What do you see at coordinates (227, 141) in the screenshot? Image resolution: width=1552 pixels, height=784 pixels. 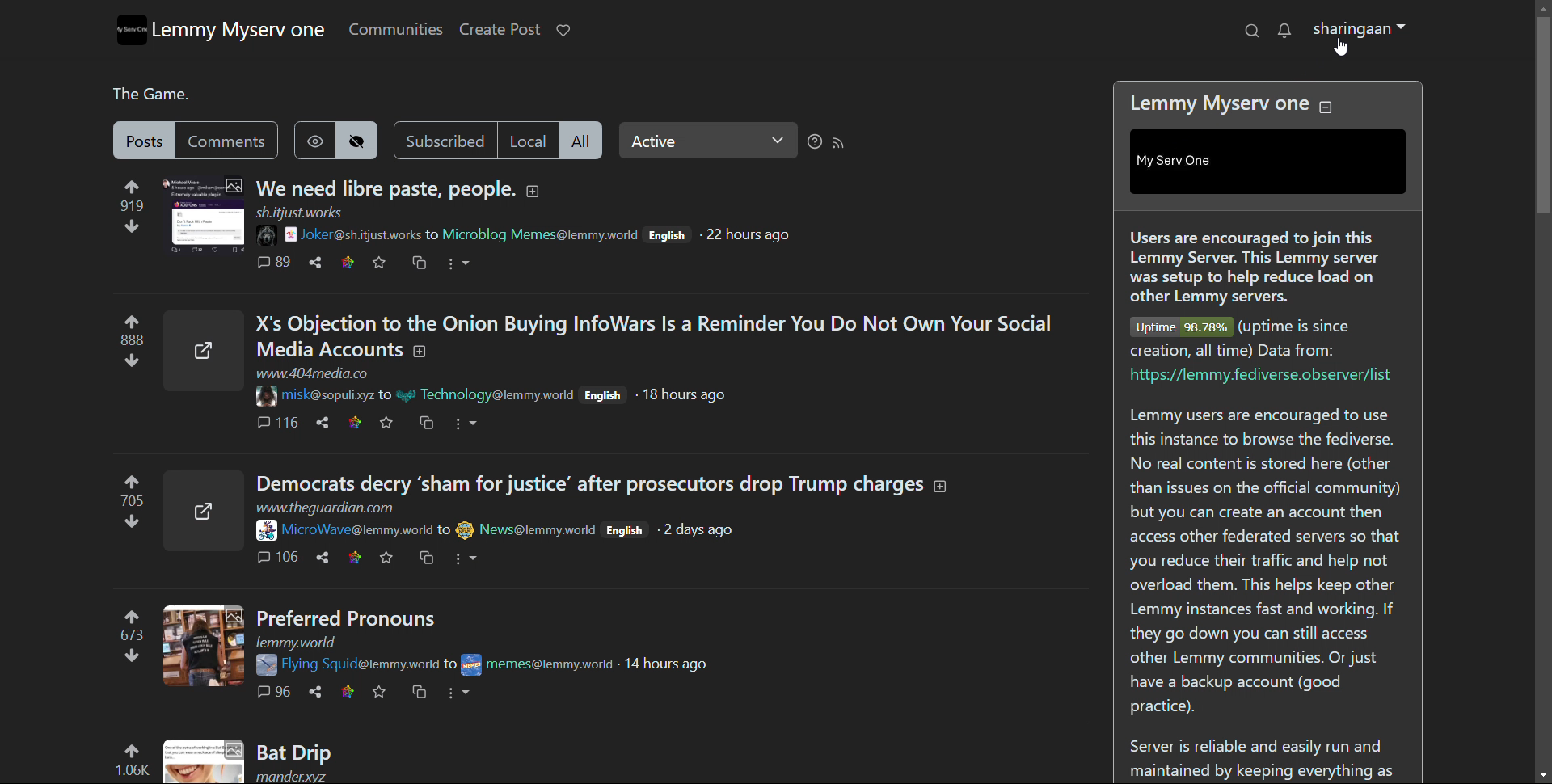 I see `comments` at bounding box center [227, 141].